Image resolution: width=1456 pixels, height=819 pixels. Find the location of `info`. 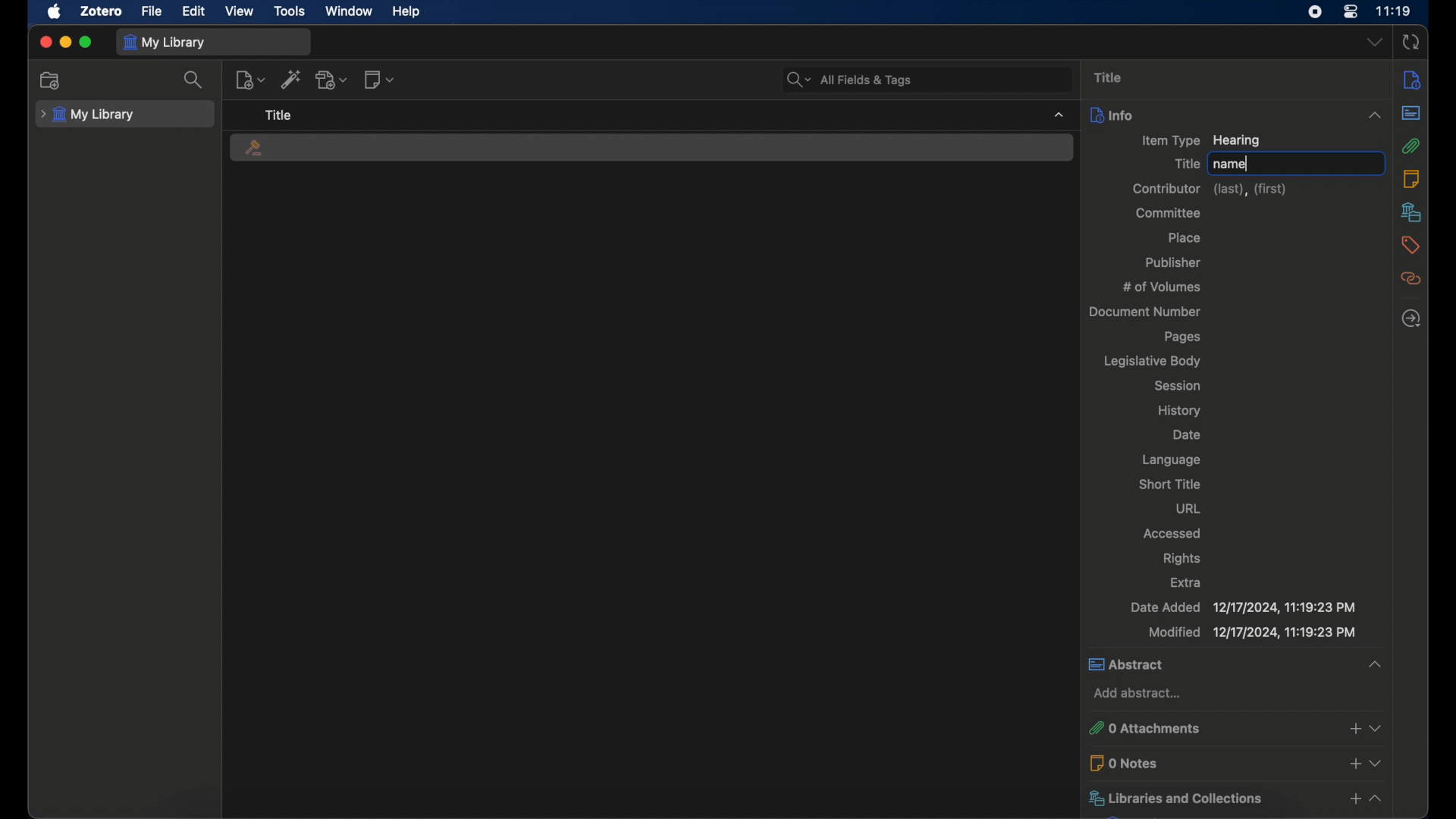

info is located at coordinates (1237, 115).